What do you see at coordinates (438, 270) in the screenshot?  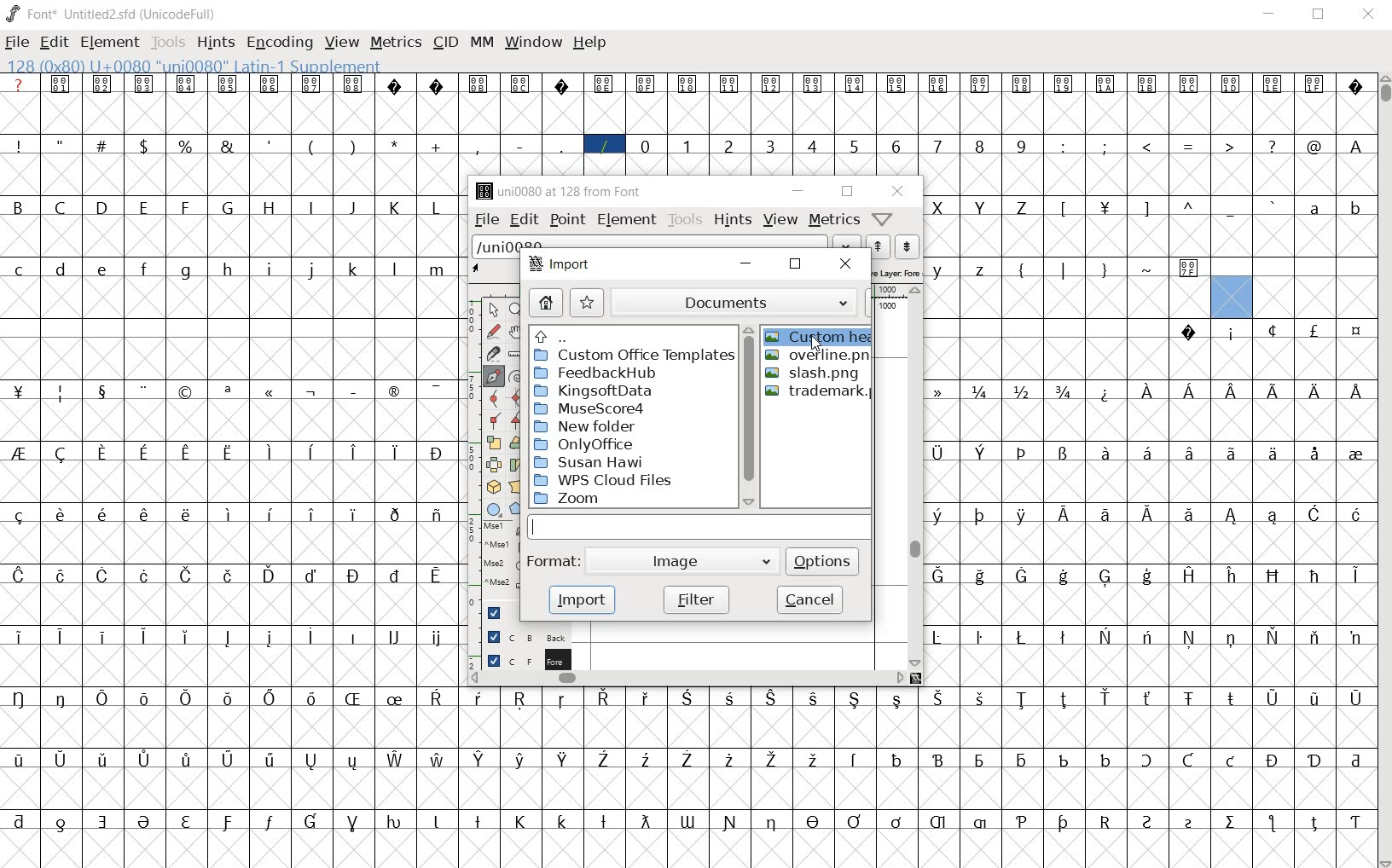 I see `glyph` at bounding box center [438, 270].